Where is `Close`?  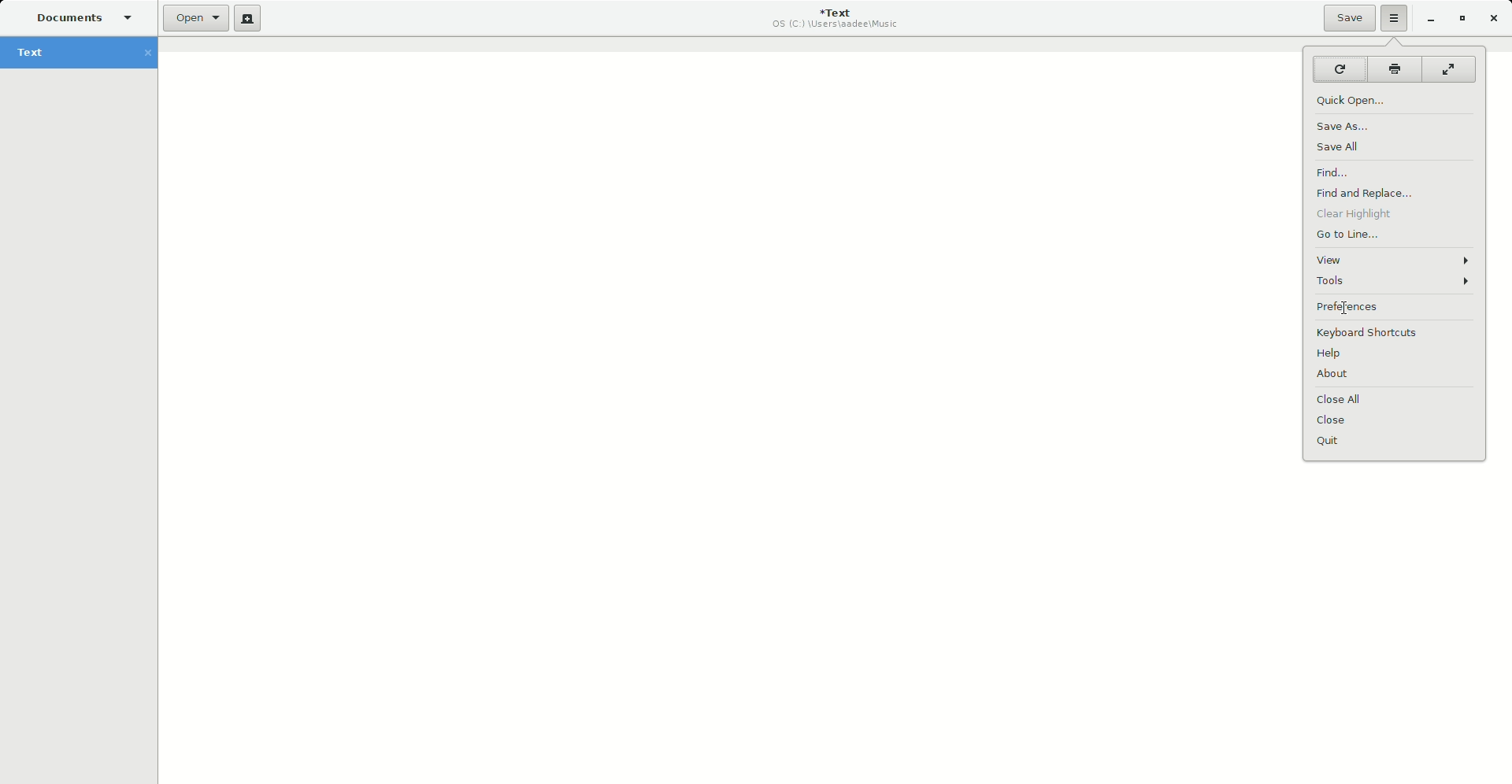 Close is located at coordinates (1495, 19).